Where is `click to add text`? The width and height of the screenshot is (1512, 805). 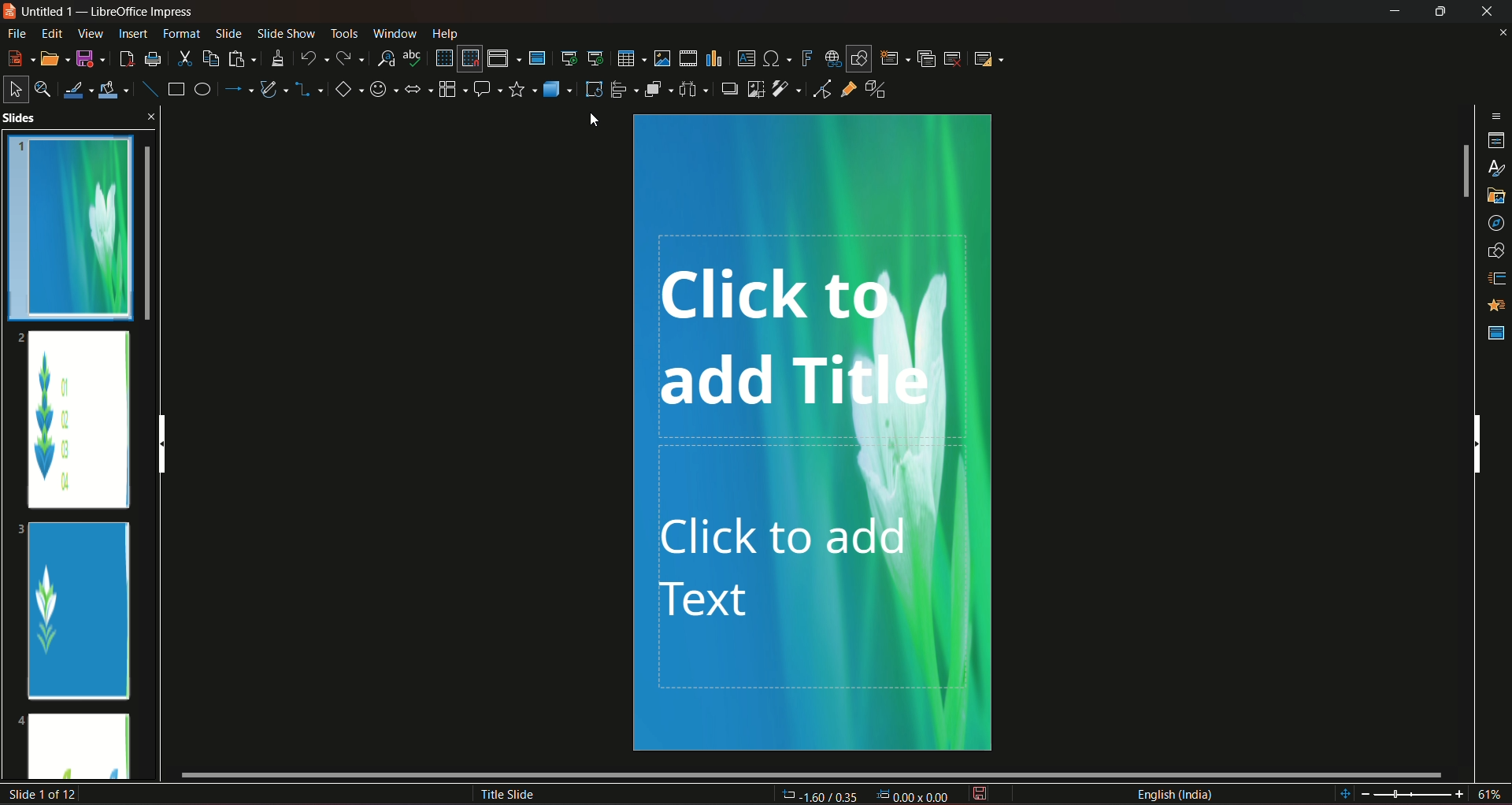
click to add text is located at coordinates (810, 566).